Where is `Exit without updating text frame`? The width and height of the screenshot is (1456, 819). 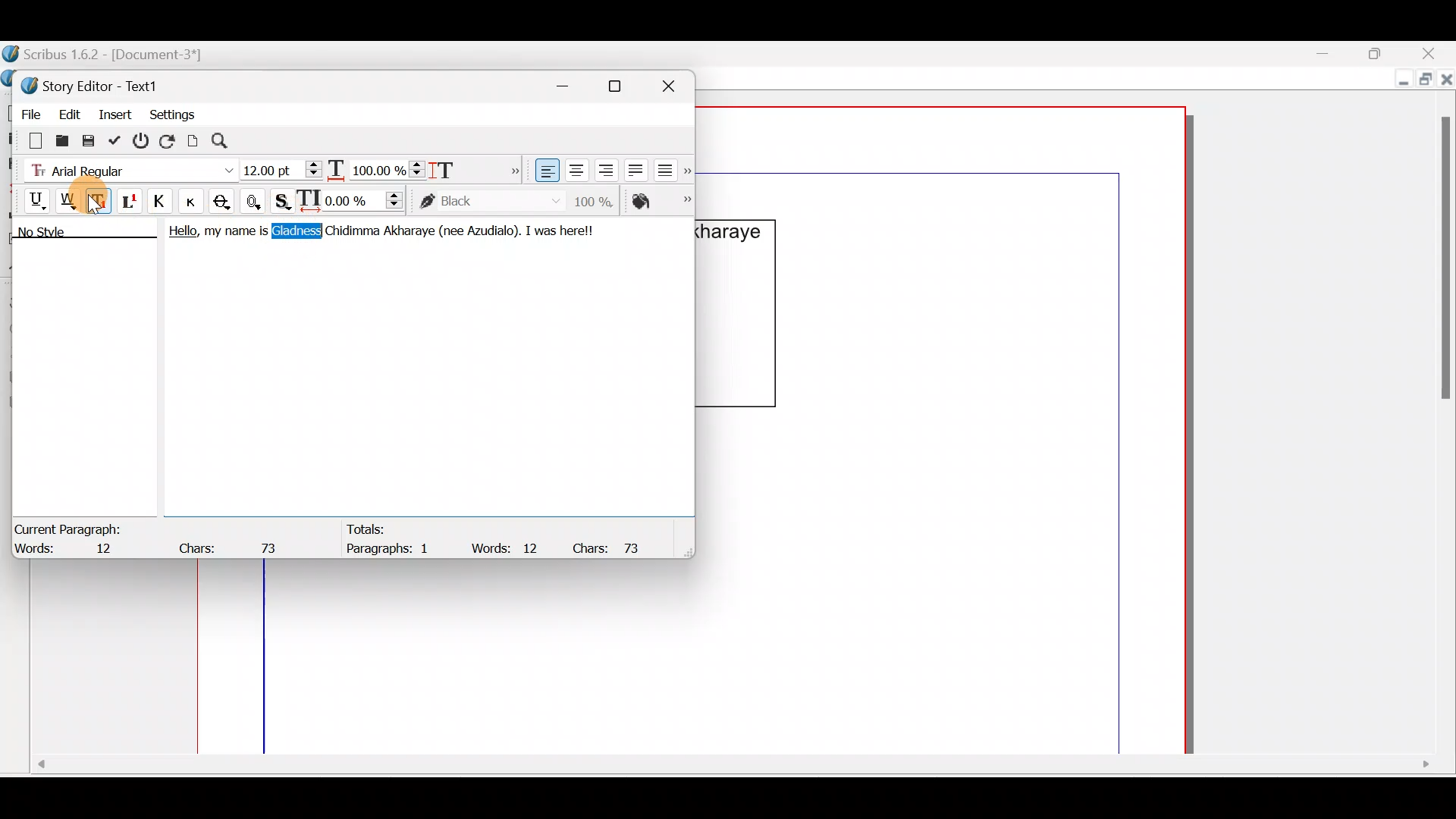 Exit without updating text frame is located at coordinates (143, 140).